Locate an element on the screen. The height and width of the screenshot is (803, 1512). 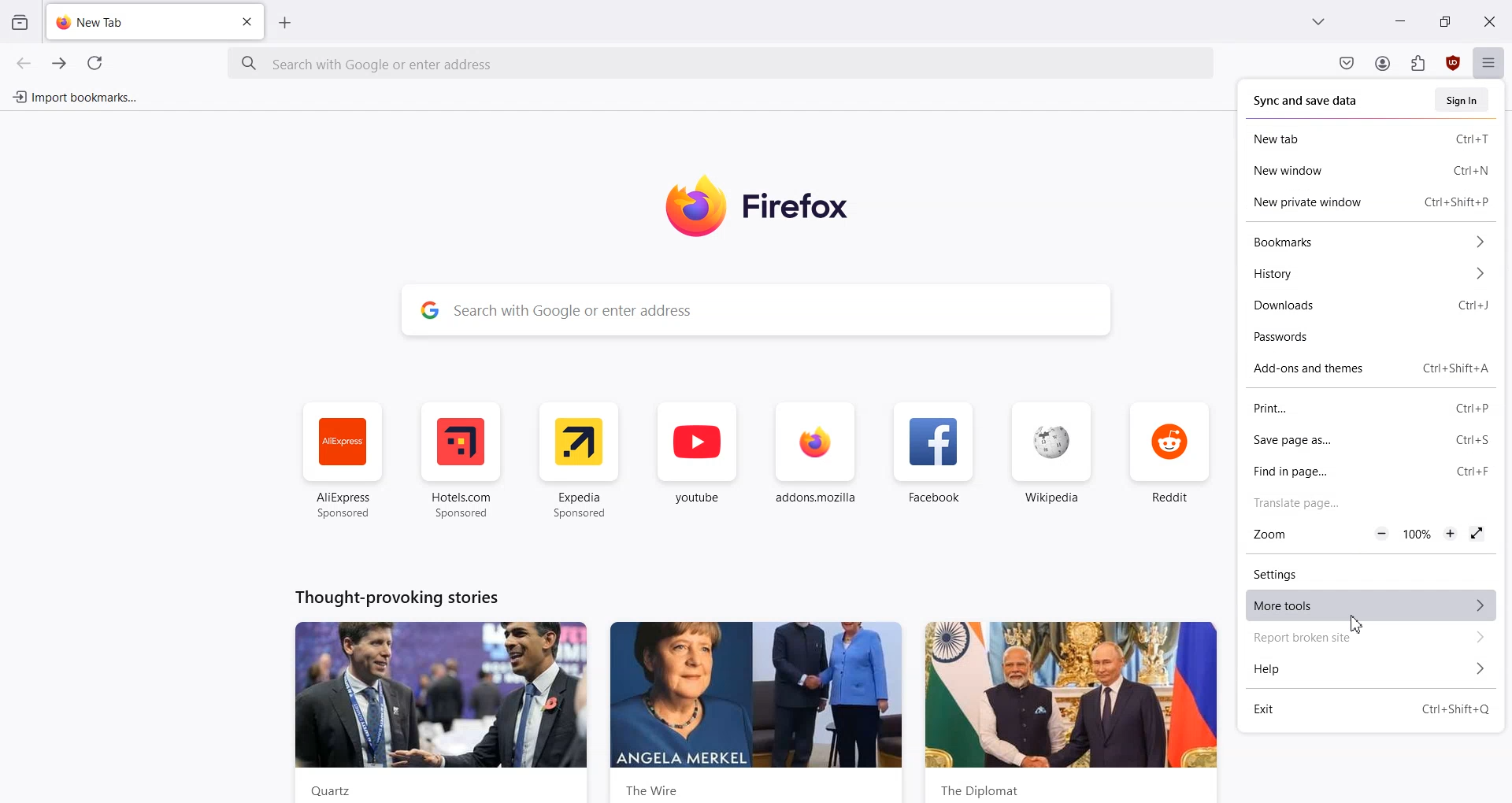
Maximize is located at coordinates (1444, 20).